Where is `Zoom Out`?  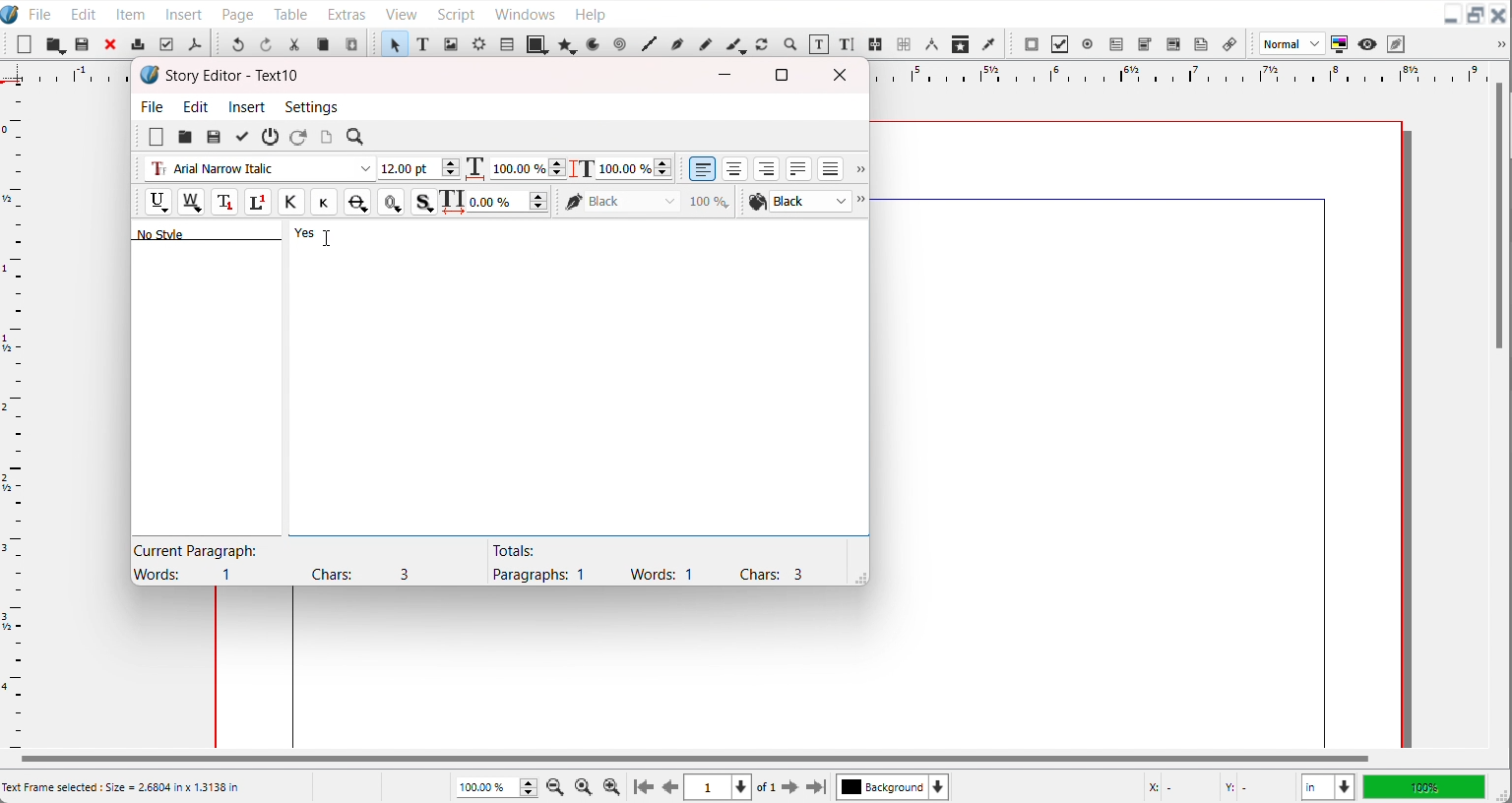
Zoom Out is located at coordinates (557, 785).